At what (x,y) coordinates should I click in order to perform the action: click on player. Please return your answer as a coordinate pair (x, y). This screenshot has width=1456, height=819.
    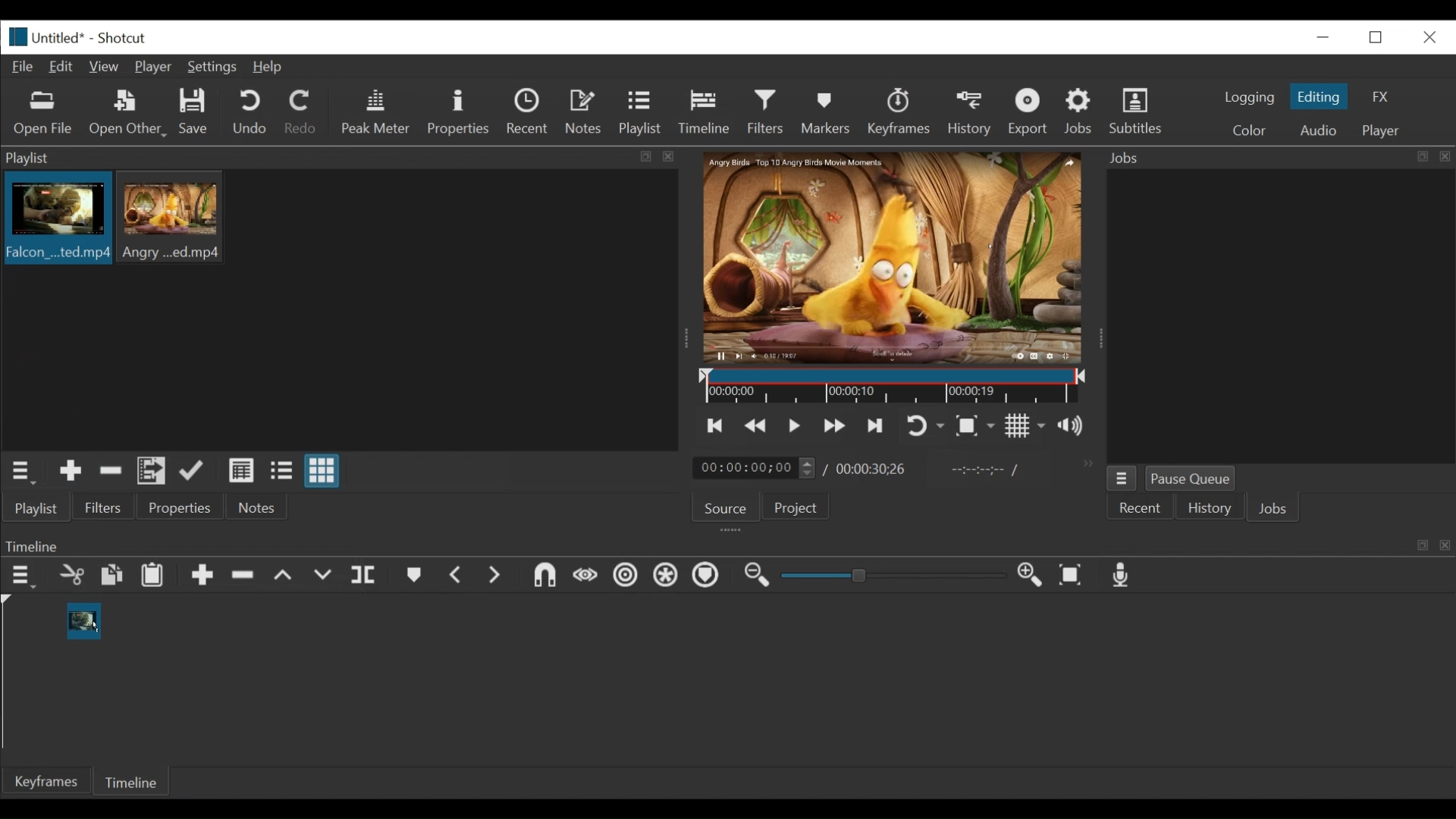
    Looking at the image, I should click on (1382, 131).